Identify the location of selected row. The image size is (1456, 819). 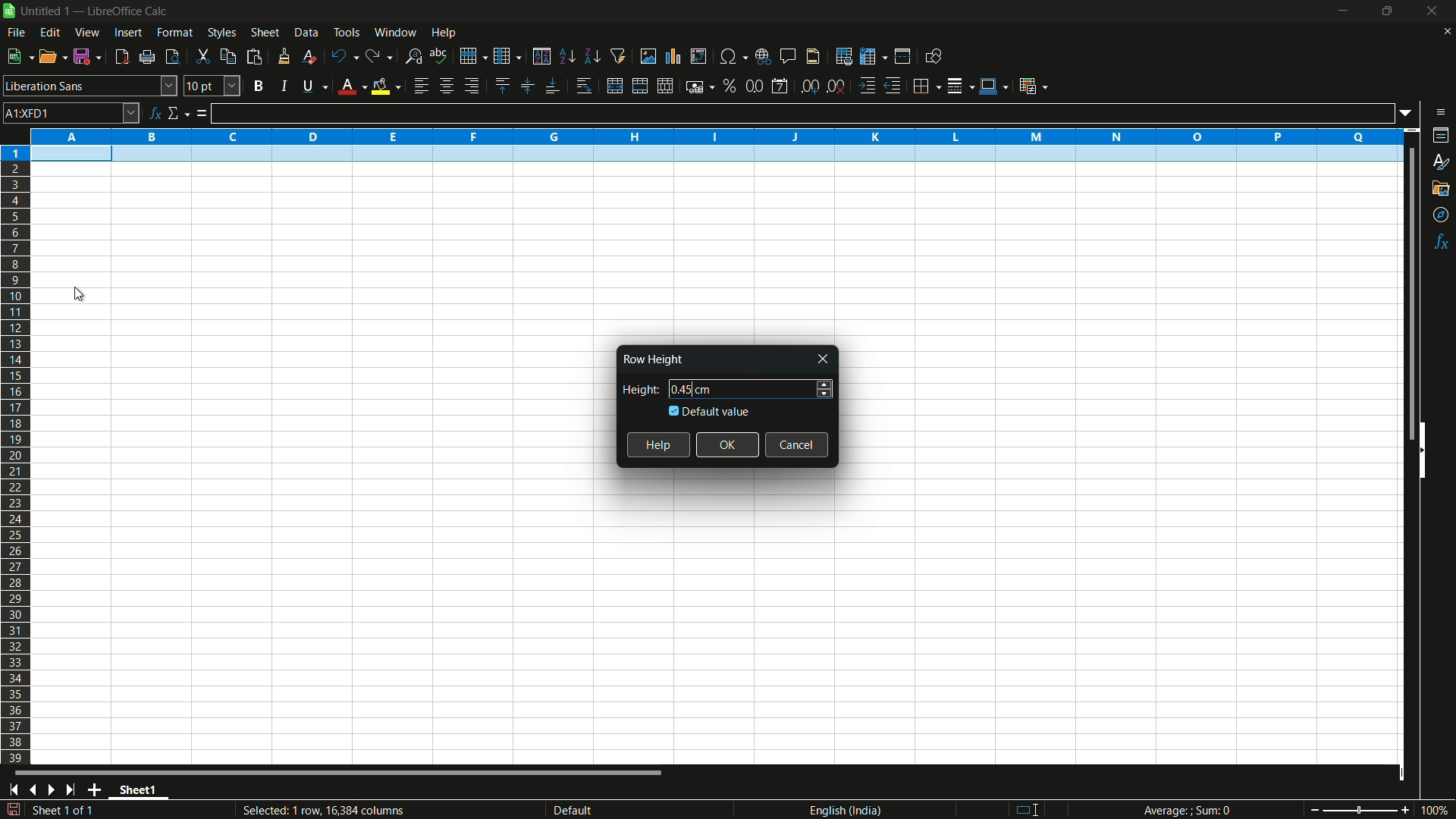
(711, 155).